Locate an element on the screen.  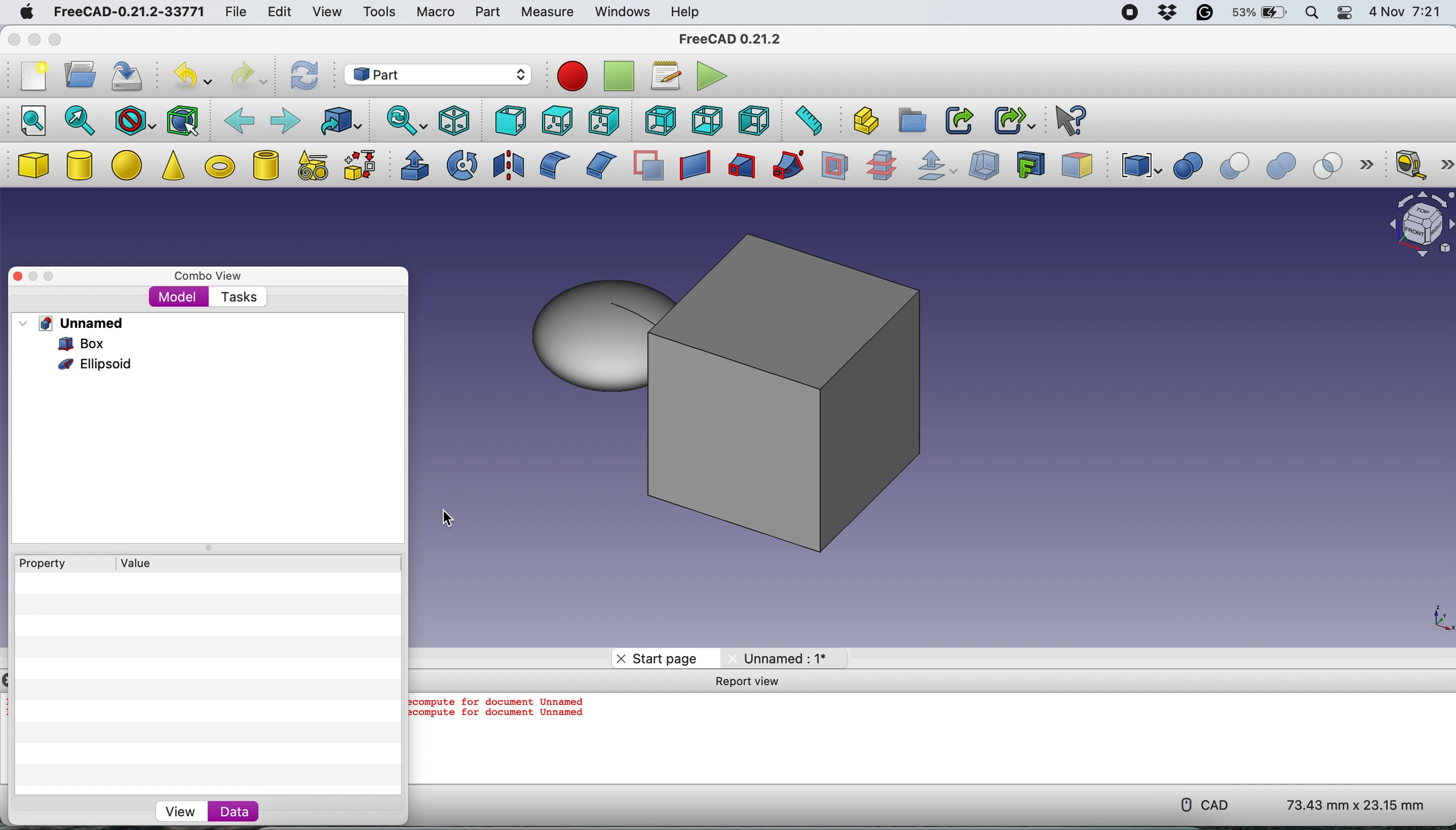
compound tools is located at coordinates (1139, 166).